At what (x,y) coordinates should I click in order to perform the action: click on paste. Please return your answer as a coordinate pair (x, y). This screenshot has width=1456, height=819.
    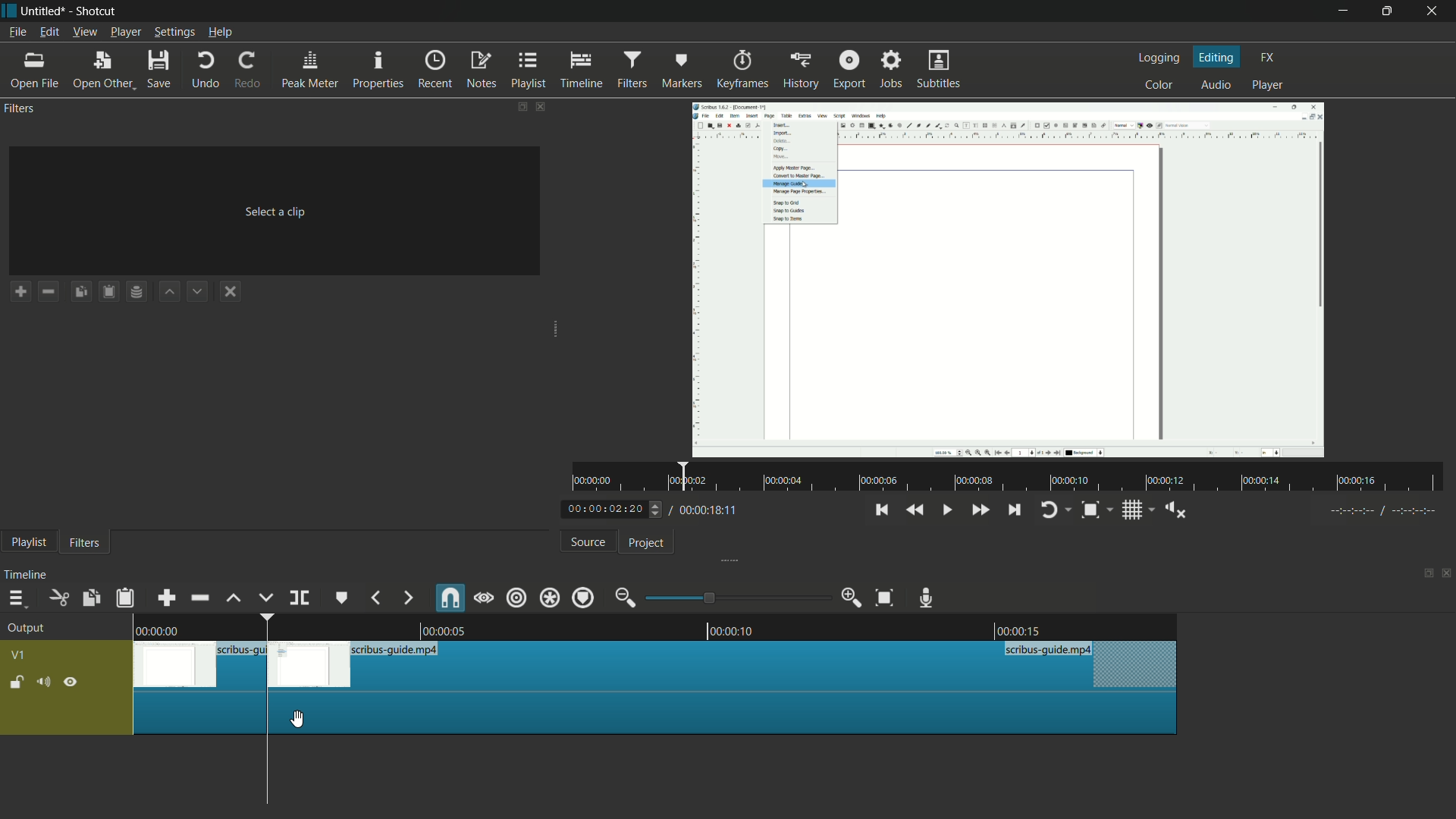
    Looking at the image, I should click on (124, 600).